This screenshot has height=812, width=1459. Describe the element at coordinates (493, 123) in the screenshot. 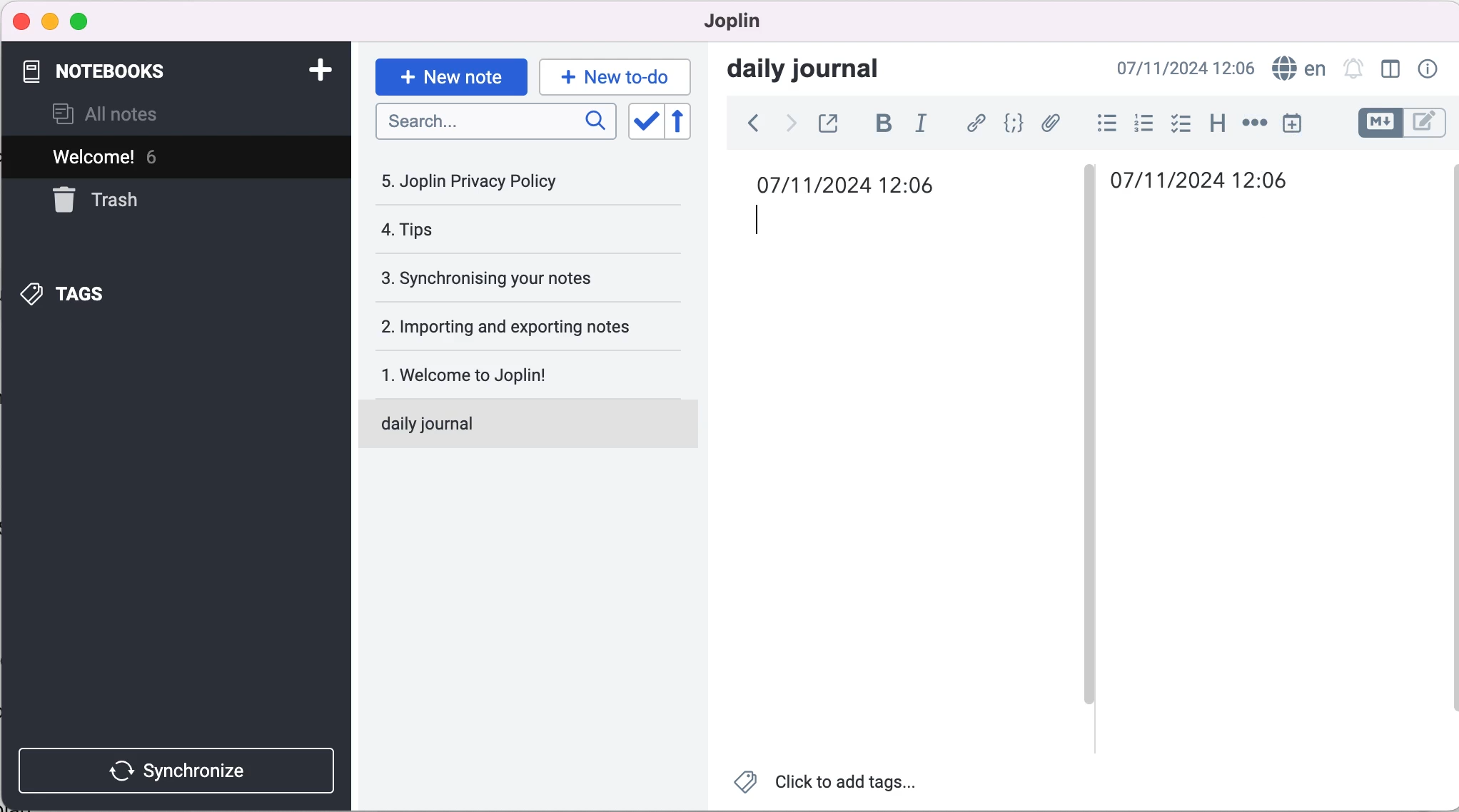

I see `search` at that location.